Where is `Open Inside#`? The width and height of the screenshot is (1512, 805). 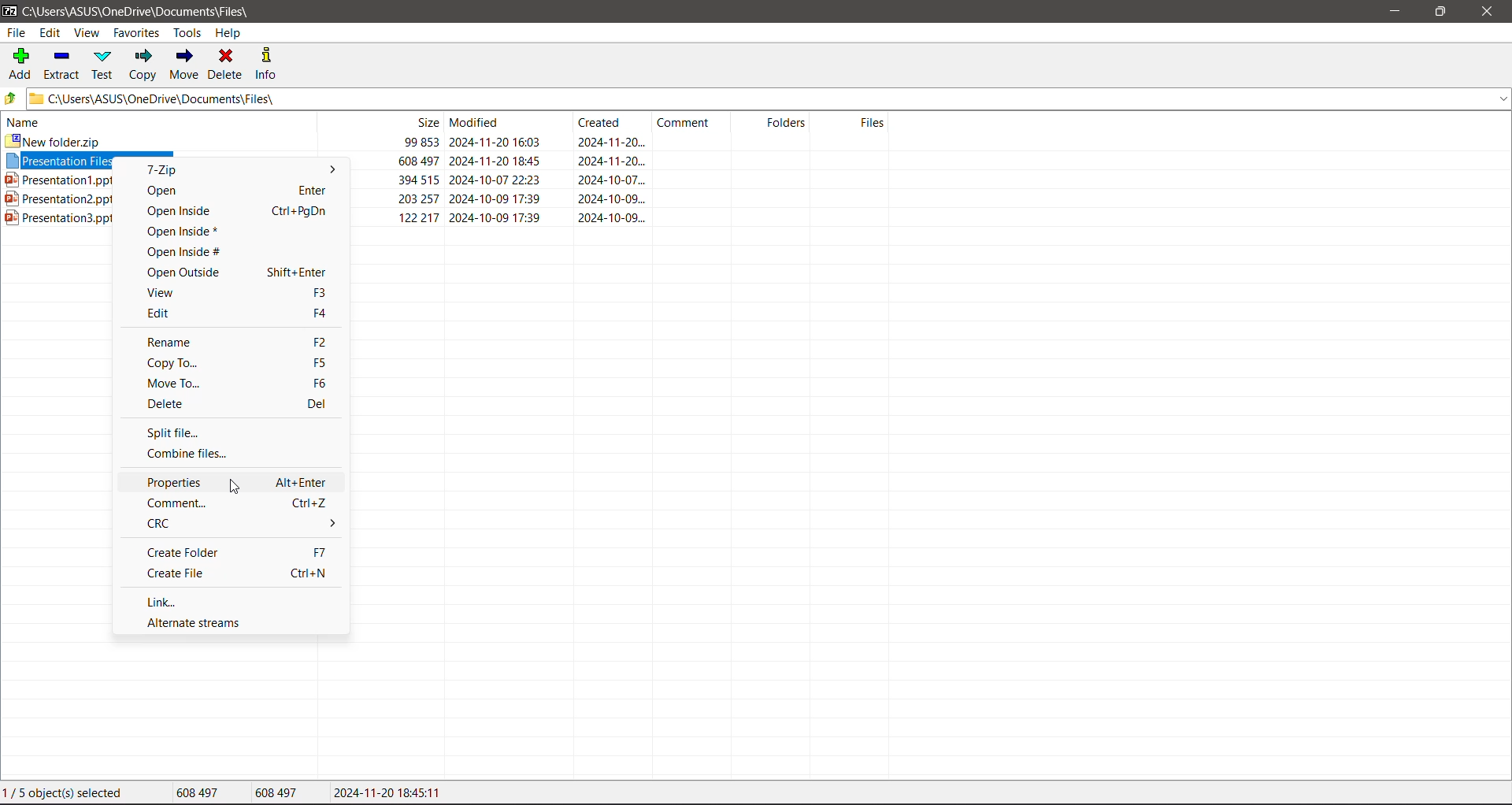 Open Inside# is located at coordinates (185, 253).